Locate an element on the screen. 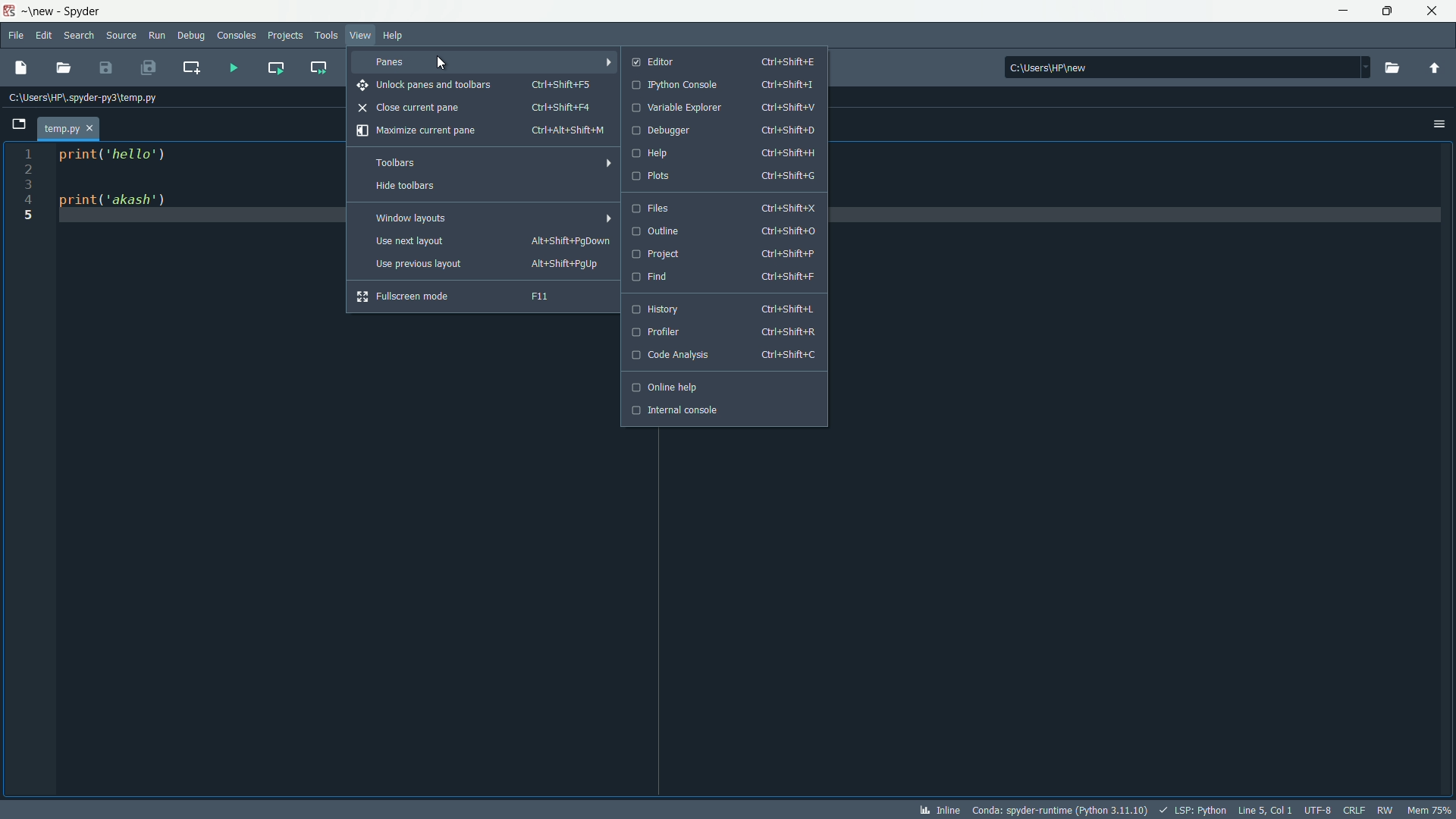 This screenshot has height=819, width=1456. IPython console is located at coordinates (724, 86).